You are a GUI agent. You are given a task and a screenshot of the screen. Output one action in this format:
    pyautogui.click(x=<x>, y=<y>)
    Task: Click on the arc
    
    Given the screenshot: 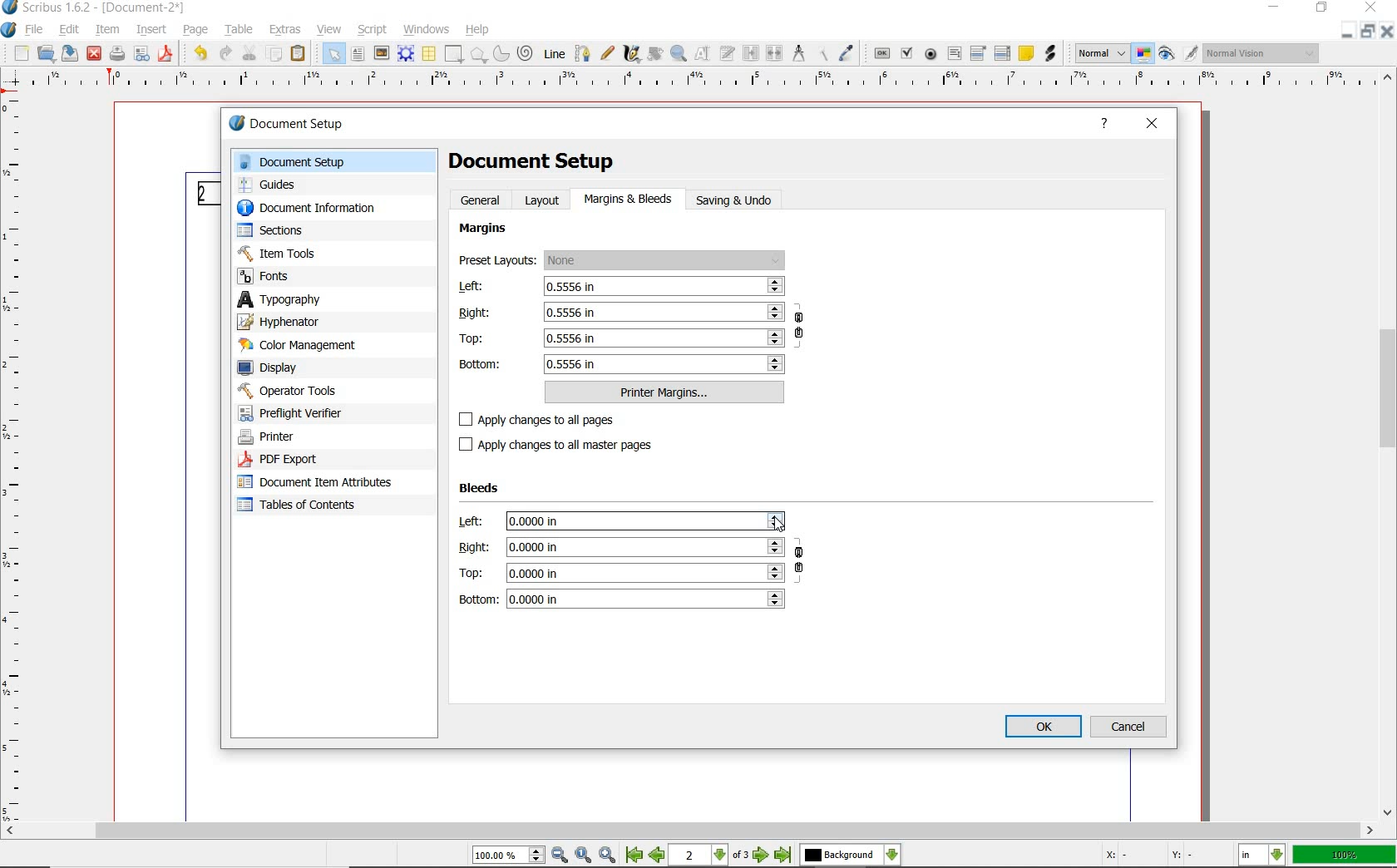 What is the action you would take?
    pyautogui.click(x=501, y=55)
    